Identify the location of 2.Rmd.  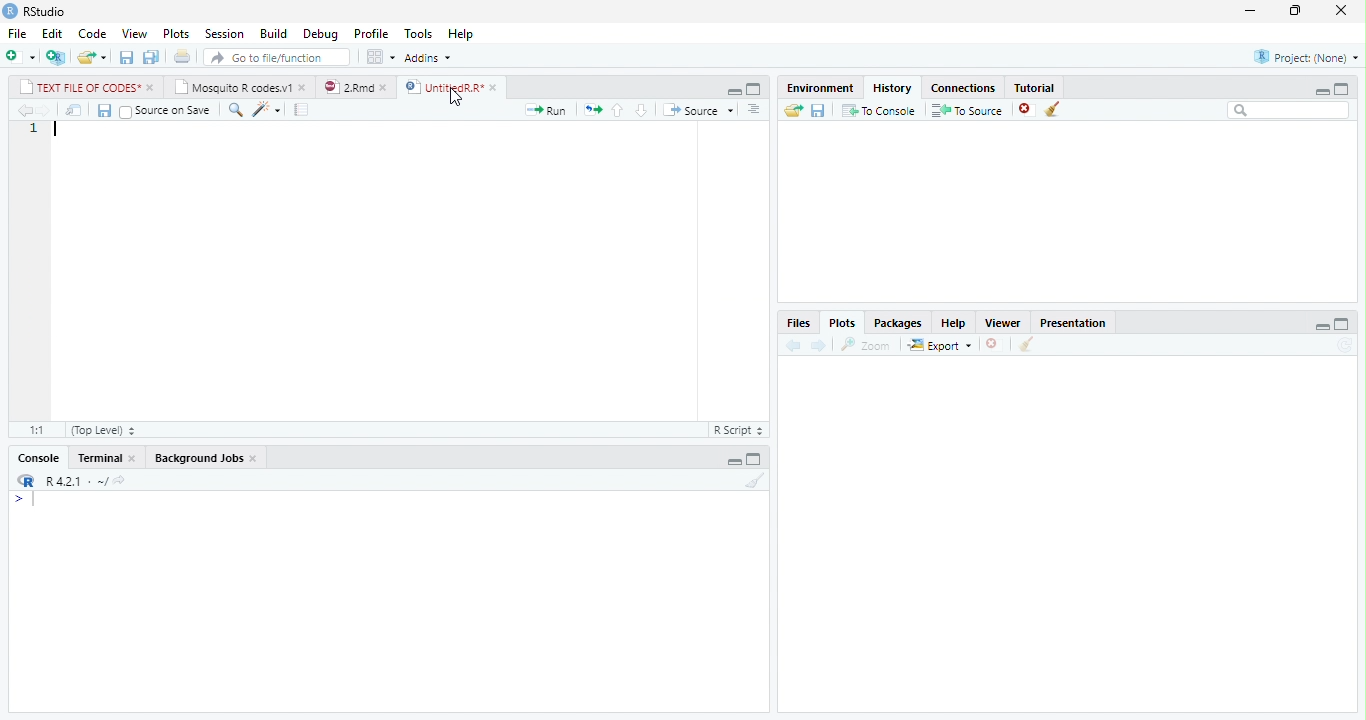
(347, 87).